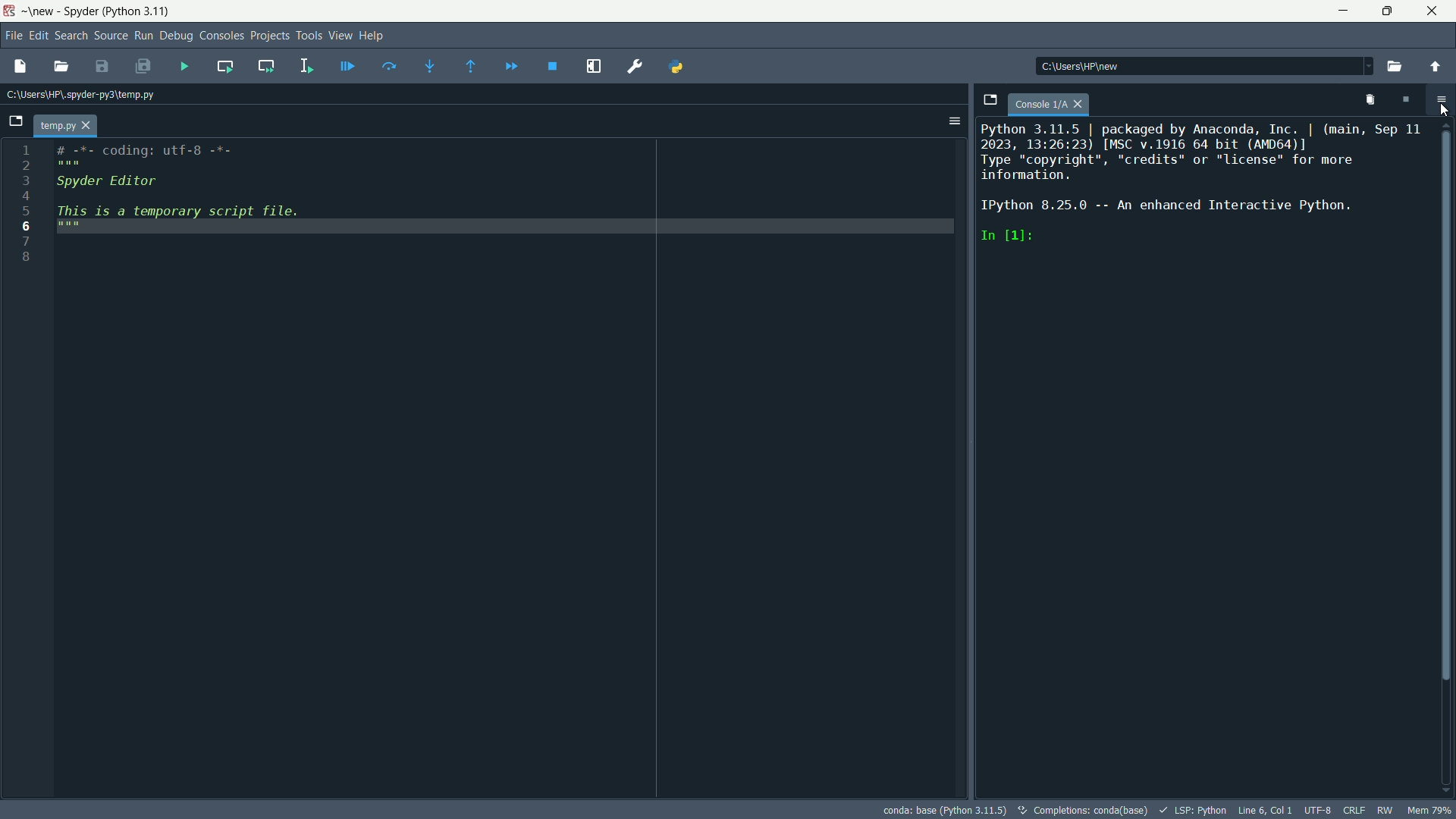 Image resolution: width=1456 pixels, height=819 pixels. Describe the element at coordinates (177, 36) in the screenshot. I see `debug menu` at that location.